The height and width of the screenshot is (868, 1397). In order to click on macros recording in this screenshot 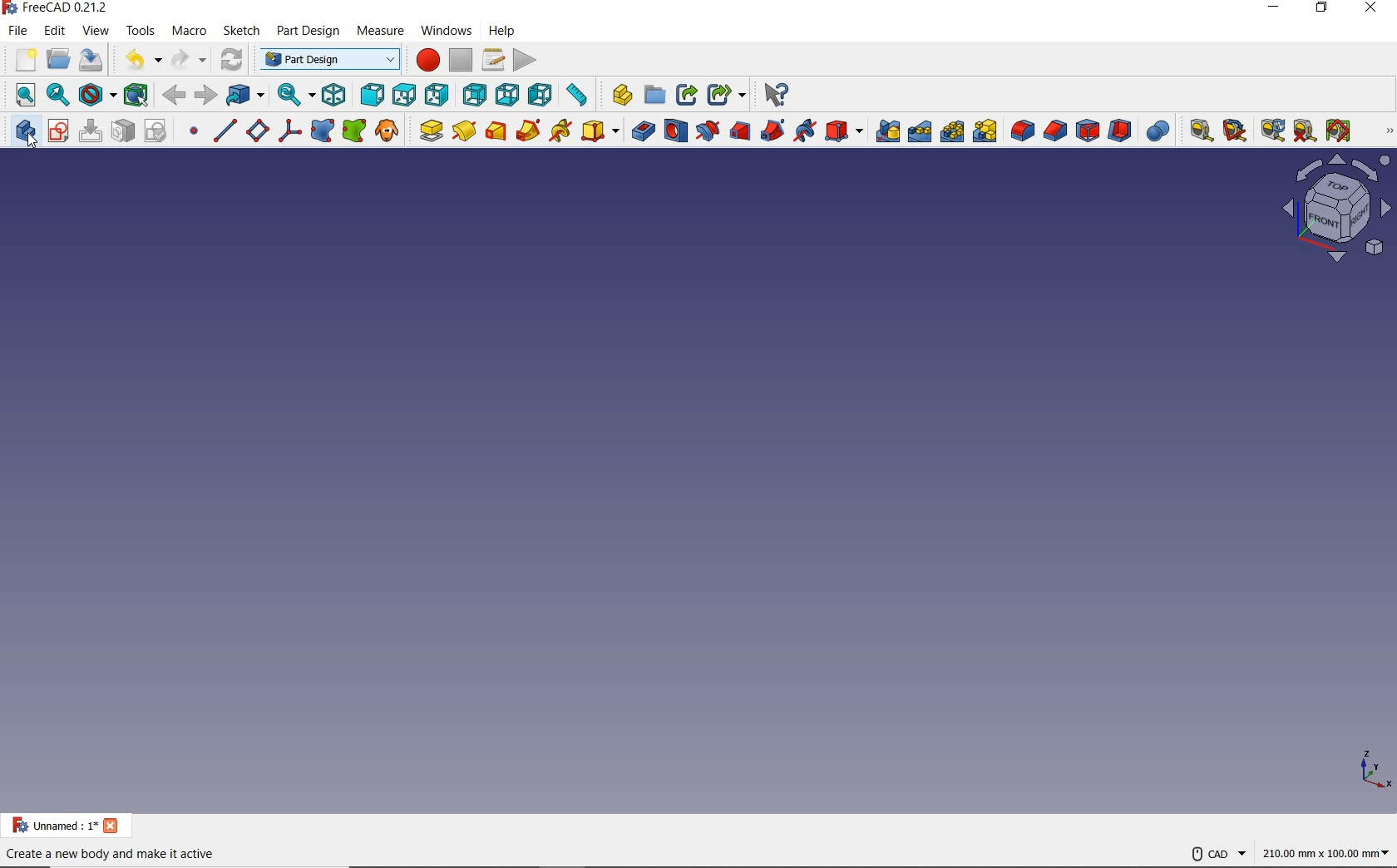, I will do `click(428, 62)`.